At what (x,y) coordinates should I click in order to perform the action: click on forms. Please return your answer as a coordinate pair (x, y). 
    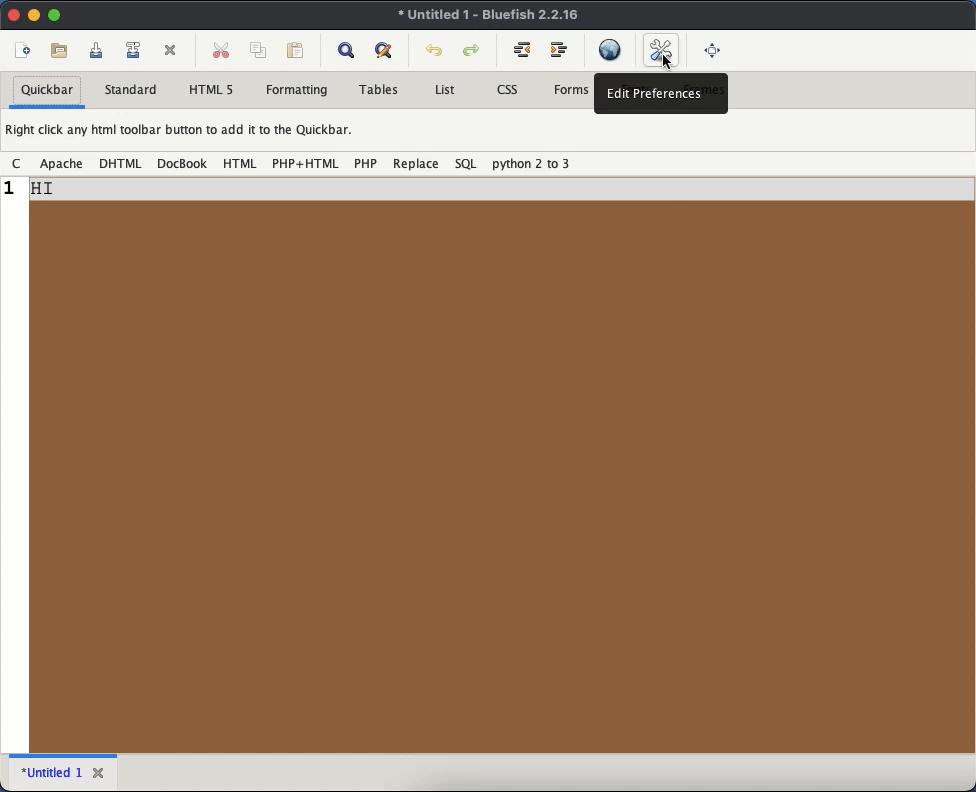
    Looking at the image, I should click on (571, 89).